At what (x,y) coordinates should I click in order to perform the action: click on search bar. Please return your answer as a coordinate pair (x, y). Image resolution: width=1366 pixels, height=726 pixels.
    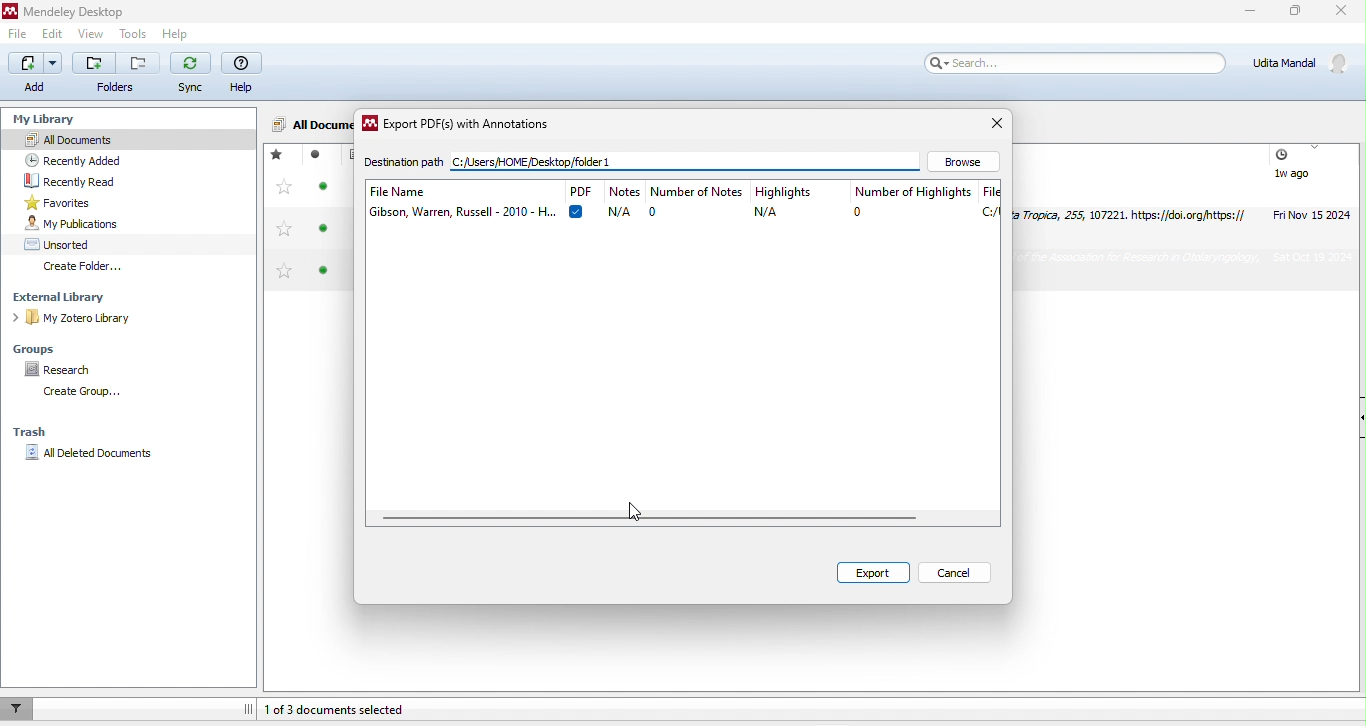
    Looking at the image, I should click on (1080, 65).